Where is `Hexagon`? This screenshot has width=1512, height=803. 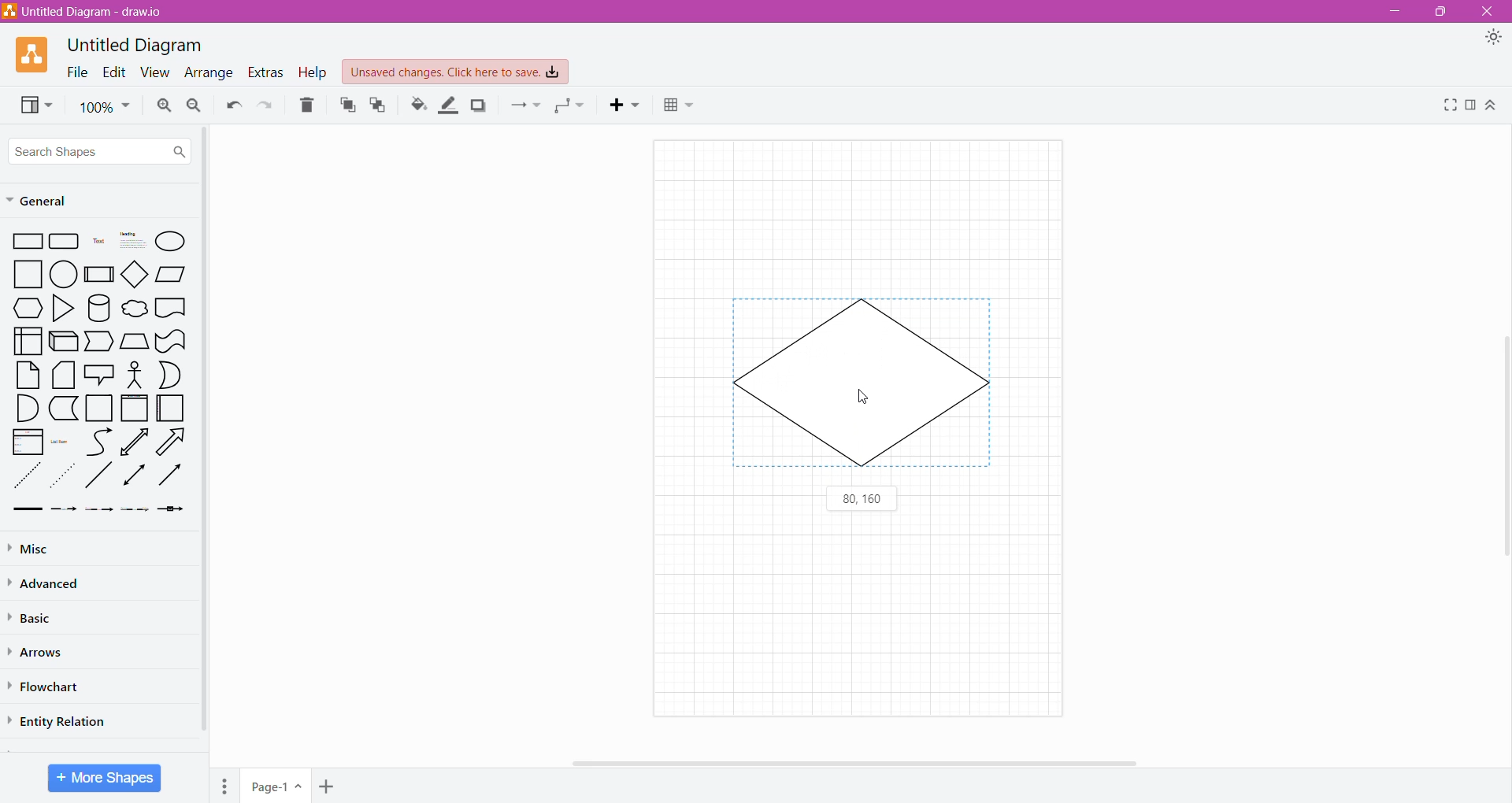 Hexagon is located at coordinates (28, 308).